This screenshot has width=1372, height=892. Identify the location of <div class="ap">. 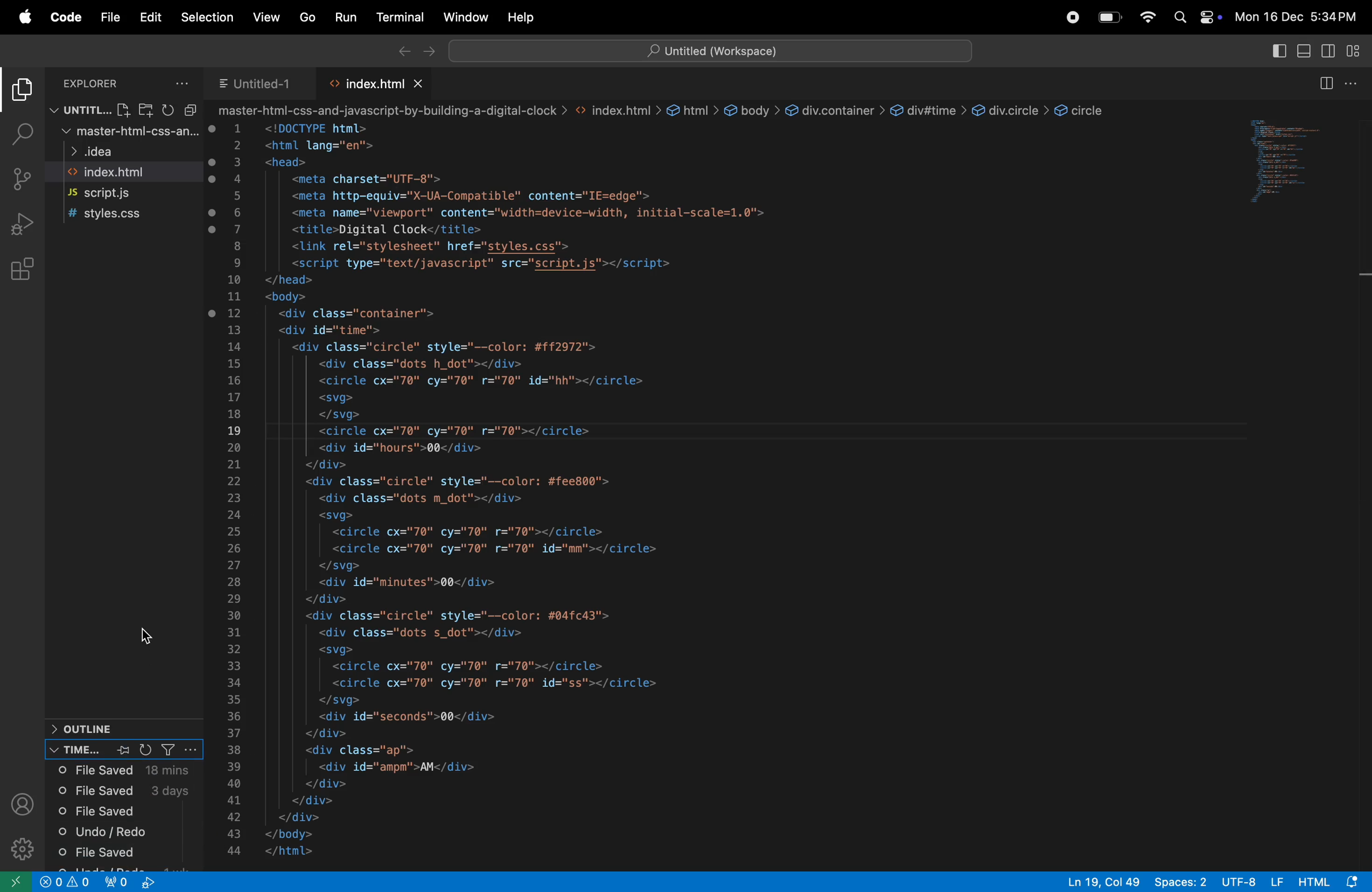
(364, 749).